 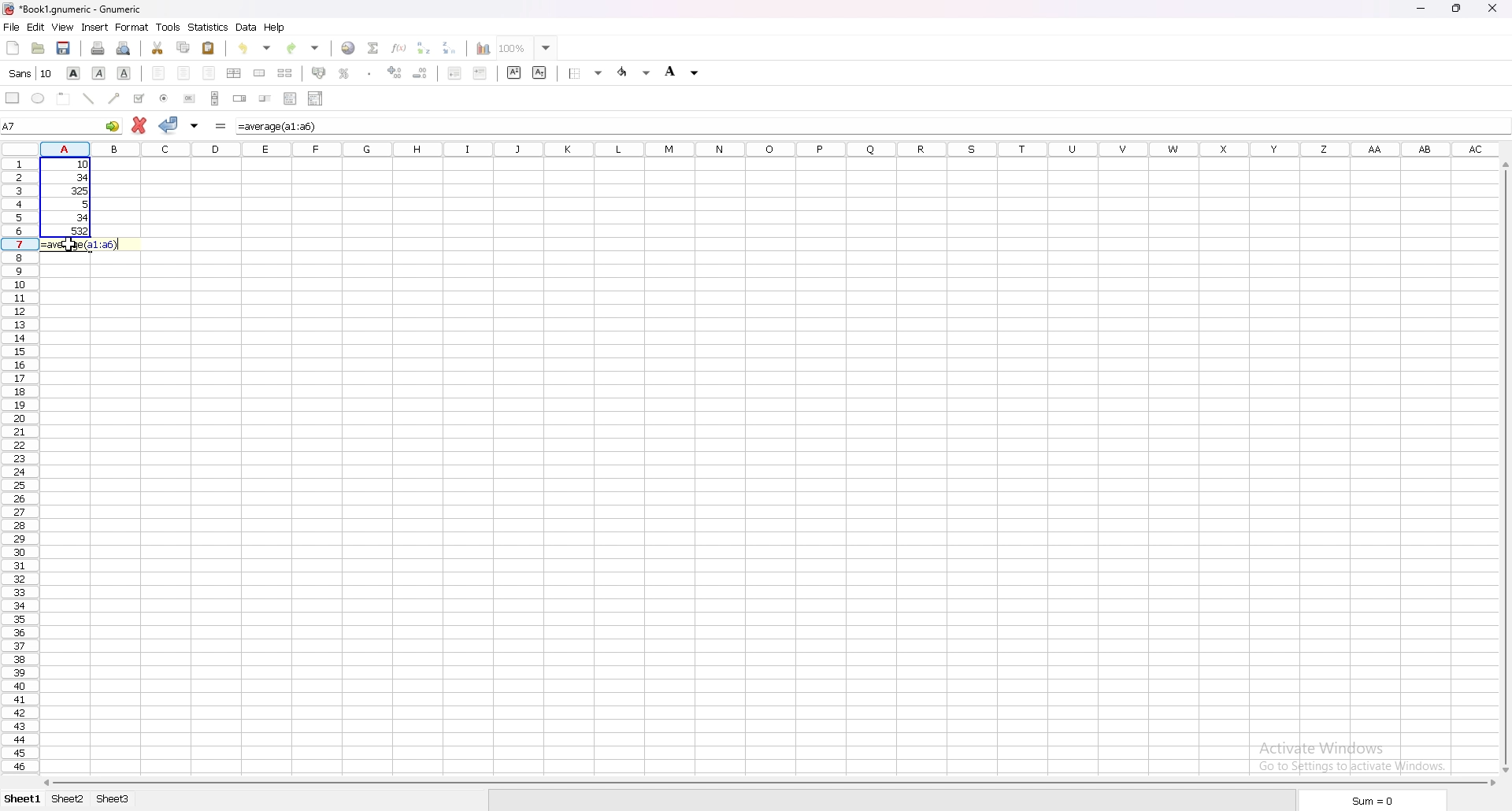 I want to click on minimize, so click(x=1419, y=9).